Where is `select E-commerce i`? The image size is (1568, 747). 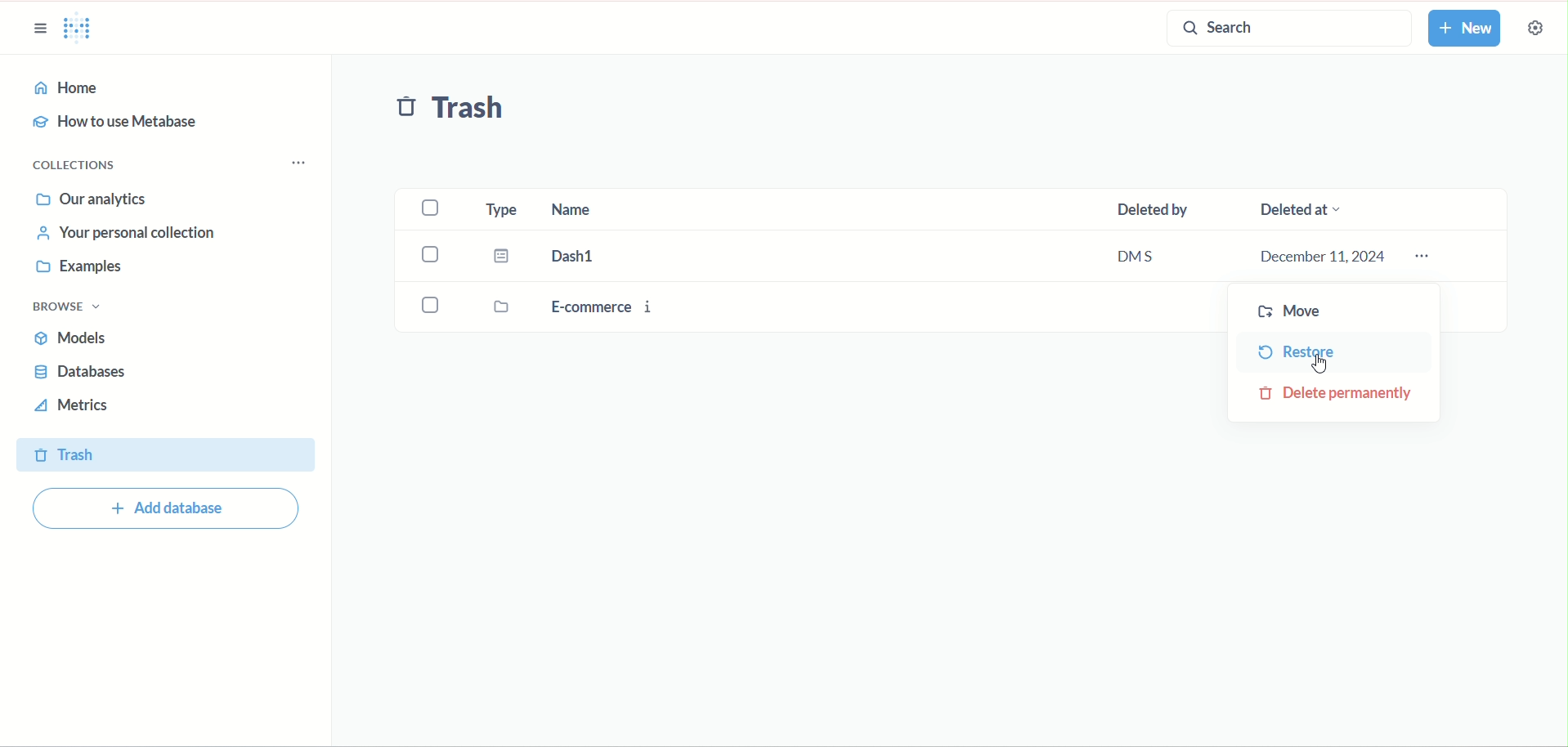
select E-commerce i is located at coordinates (432, 307).